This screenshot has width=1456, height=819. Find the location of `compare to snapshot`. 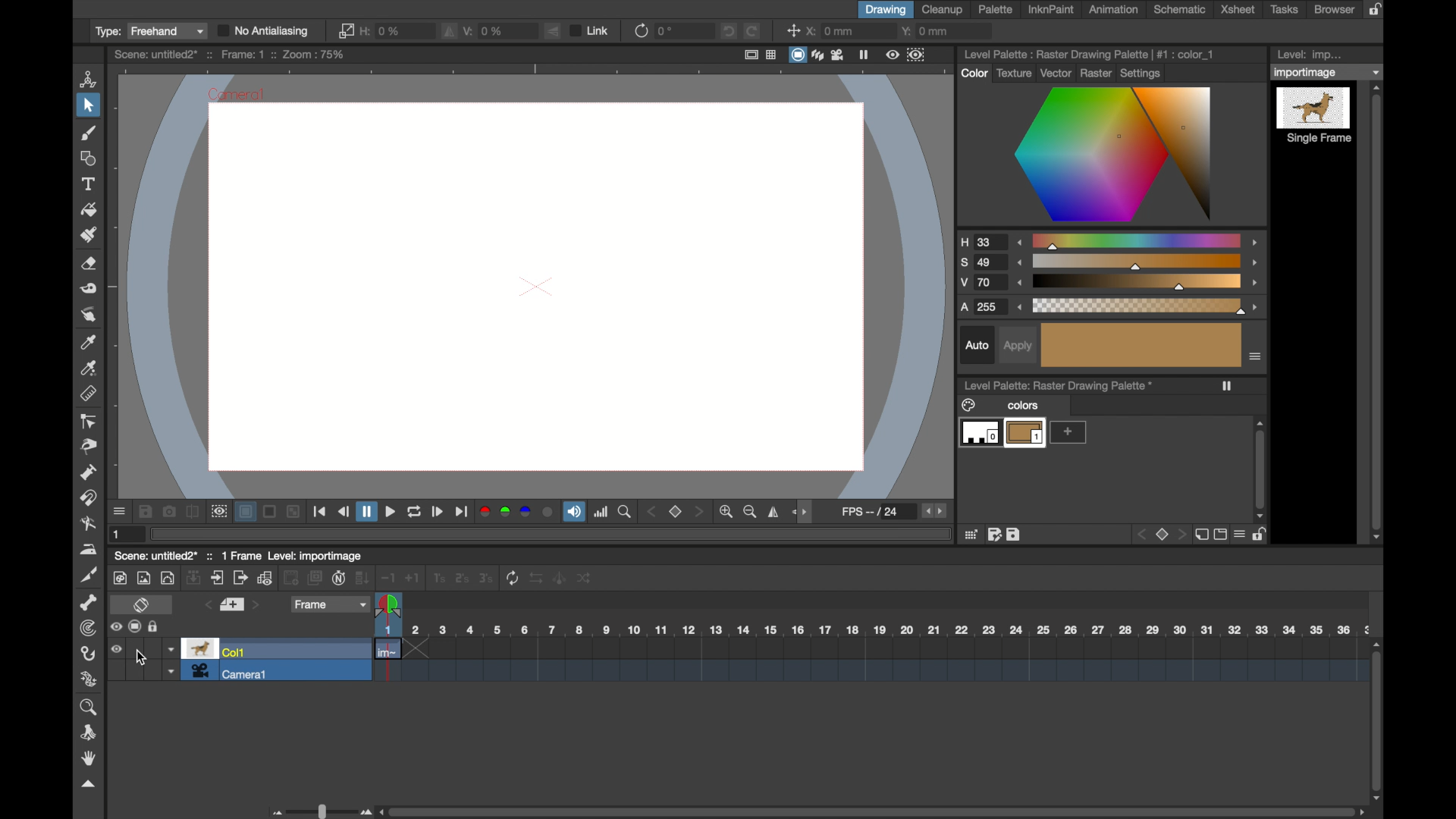

compare to snapshot is located at coordinates (193, 511).